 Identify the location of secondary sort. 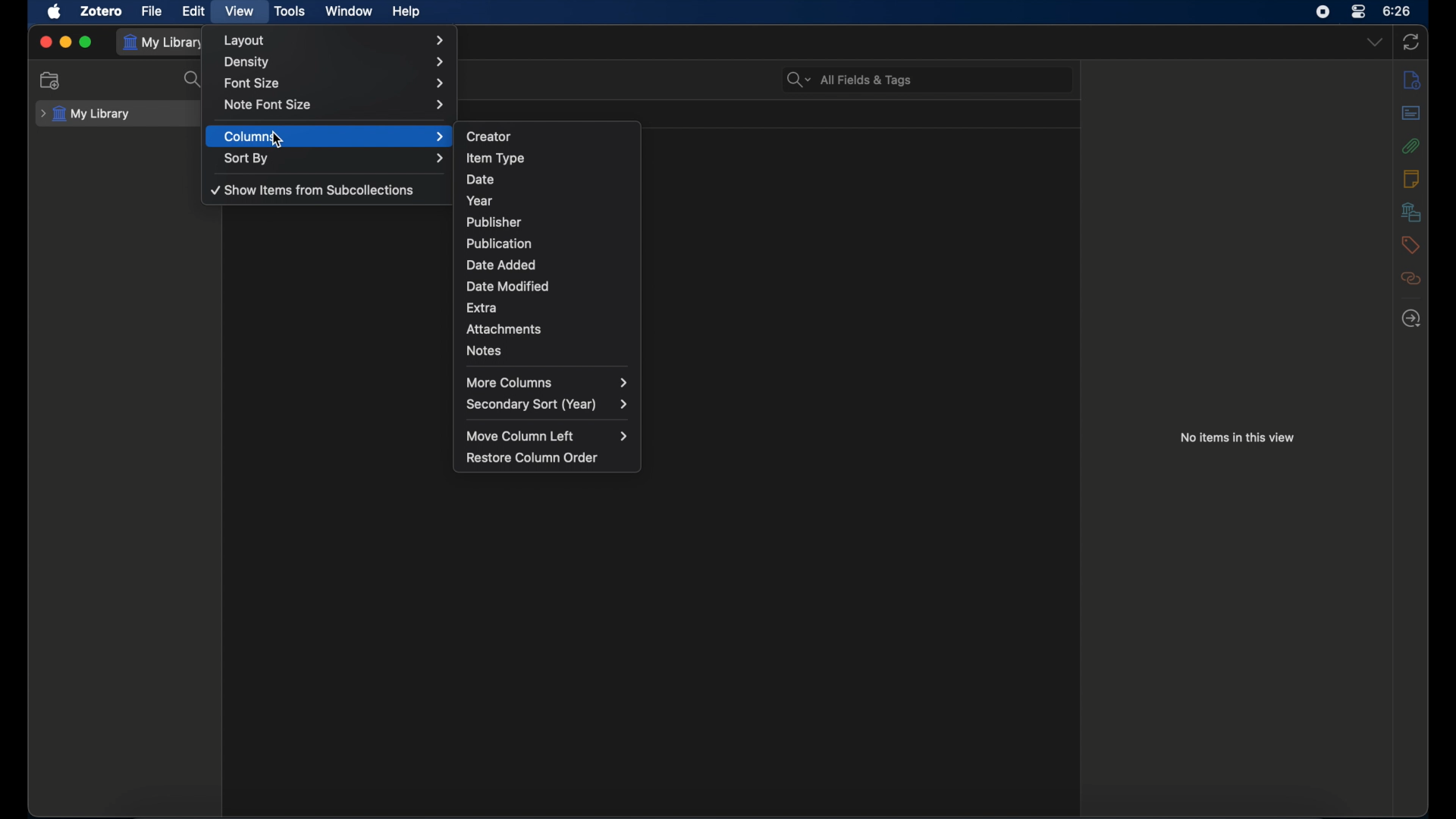
(547, 405).